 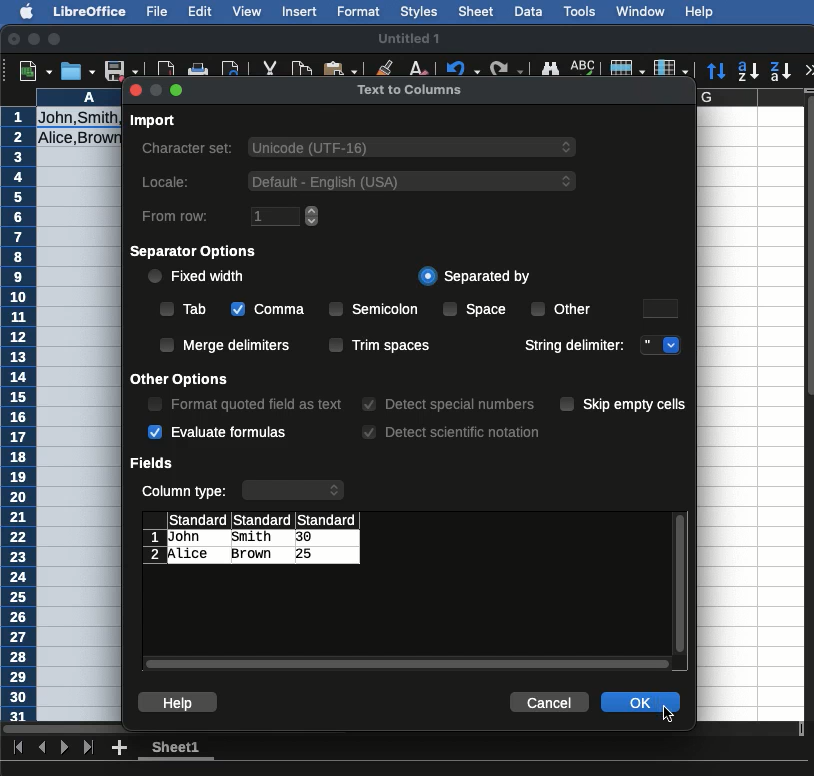 I want to click on Ascending, so click(x=750, y=70).